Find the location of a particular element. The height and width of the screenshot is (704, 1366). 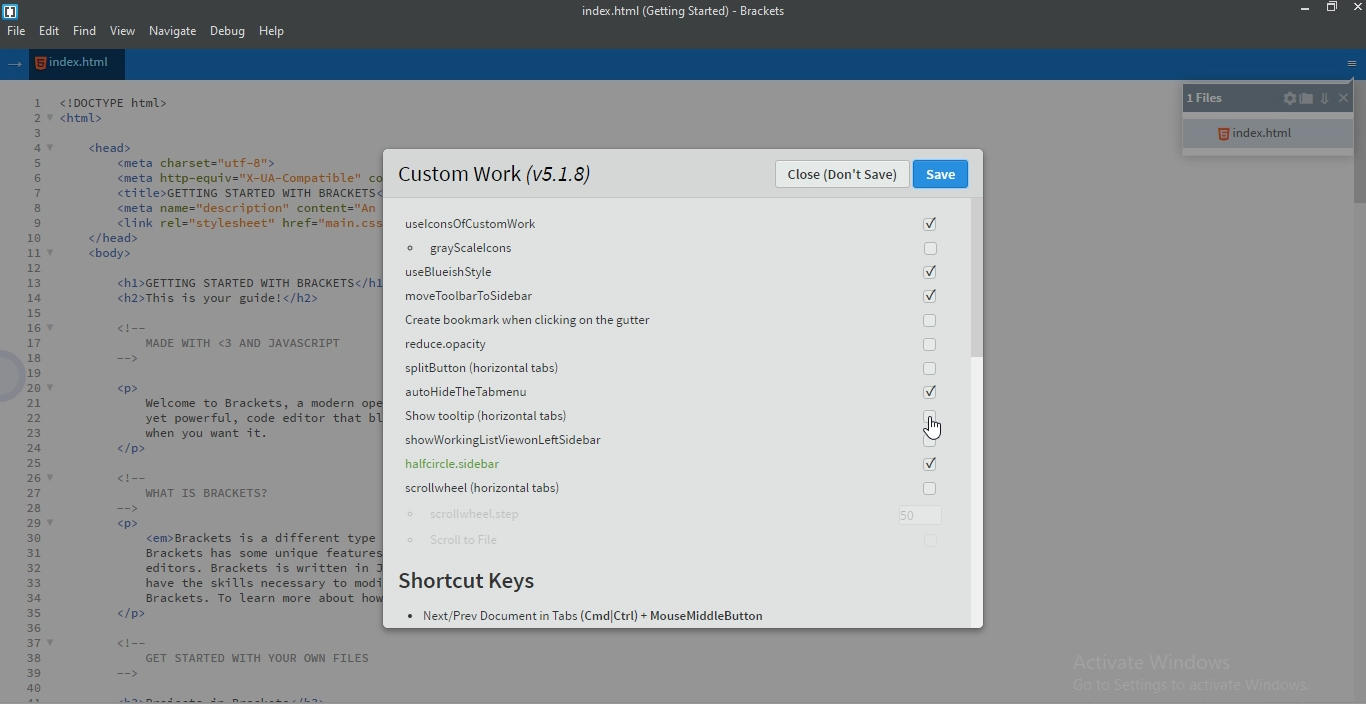

help is located at coordinates (273, 32).